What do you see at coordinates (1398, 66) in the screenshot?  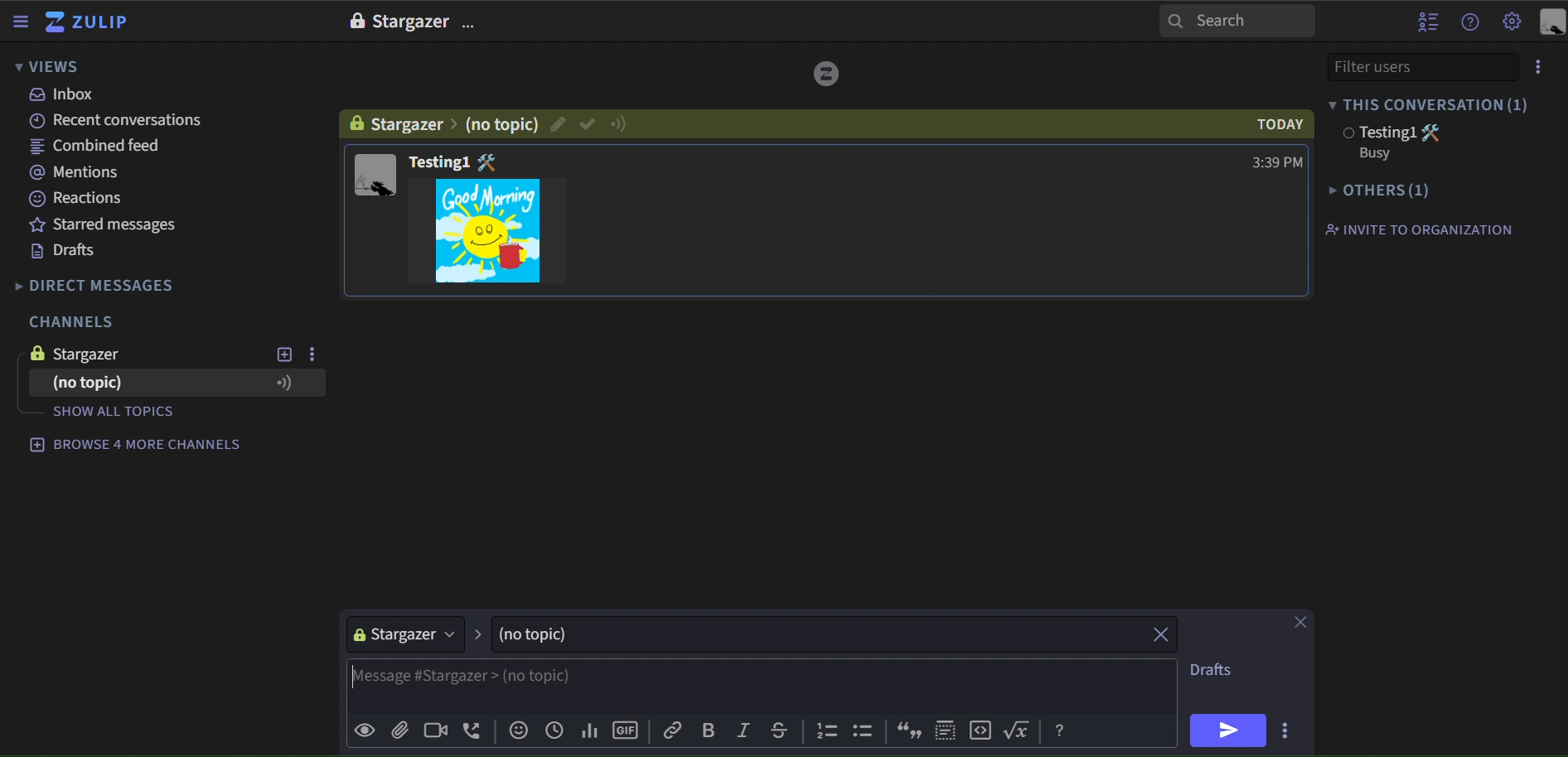 I see `File user` at bounding box center [1398, 66].